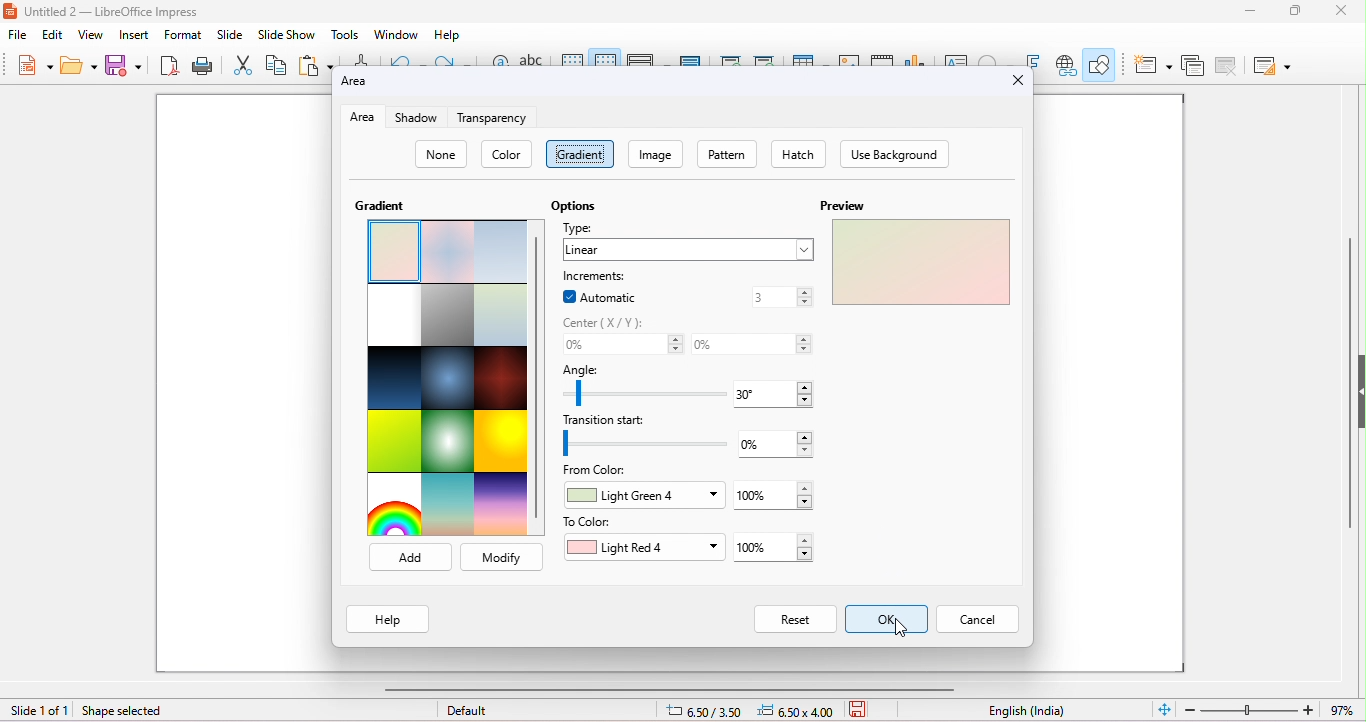  Describe the element at coordinates (600, 471) in the screenshot. I see `from color` at that location.